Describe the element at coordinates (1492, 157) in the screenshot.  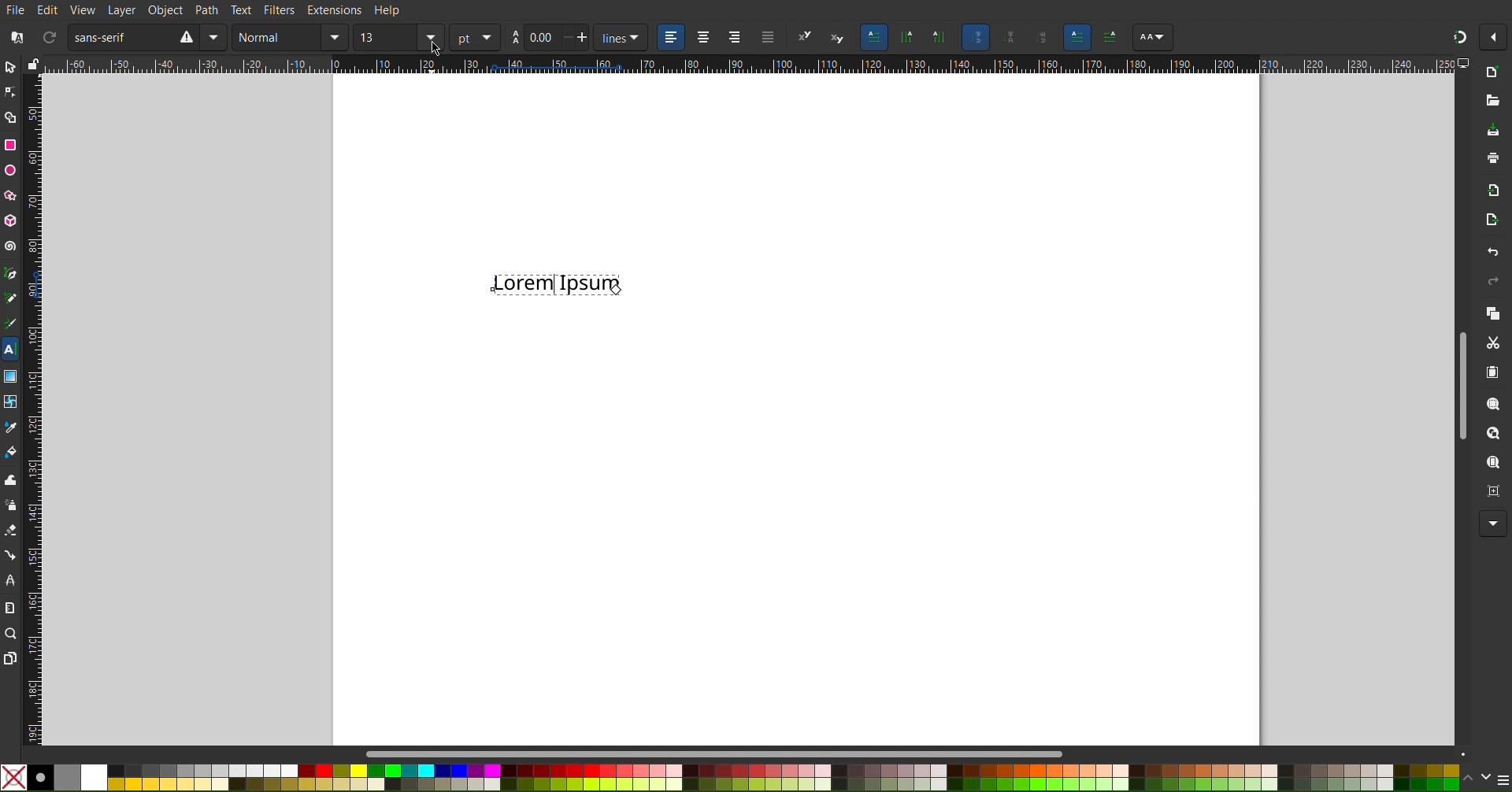
I see `Print` at that location.